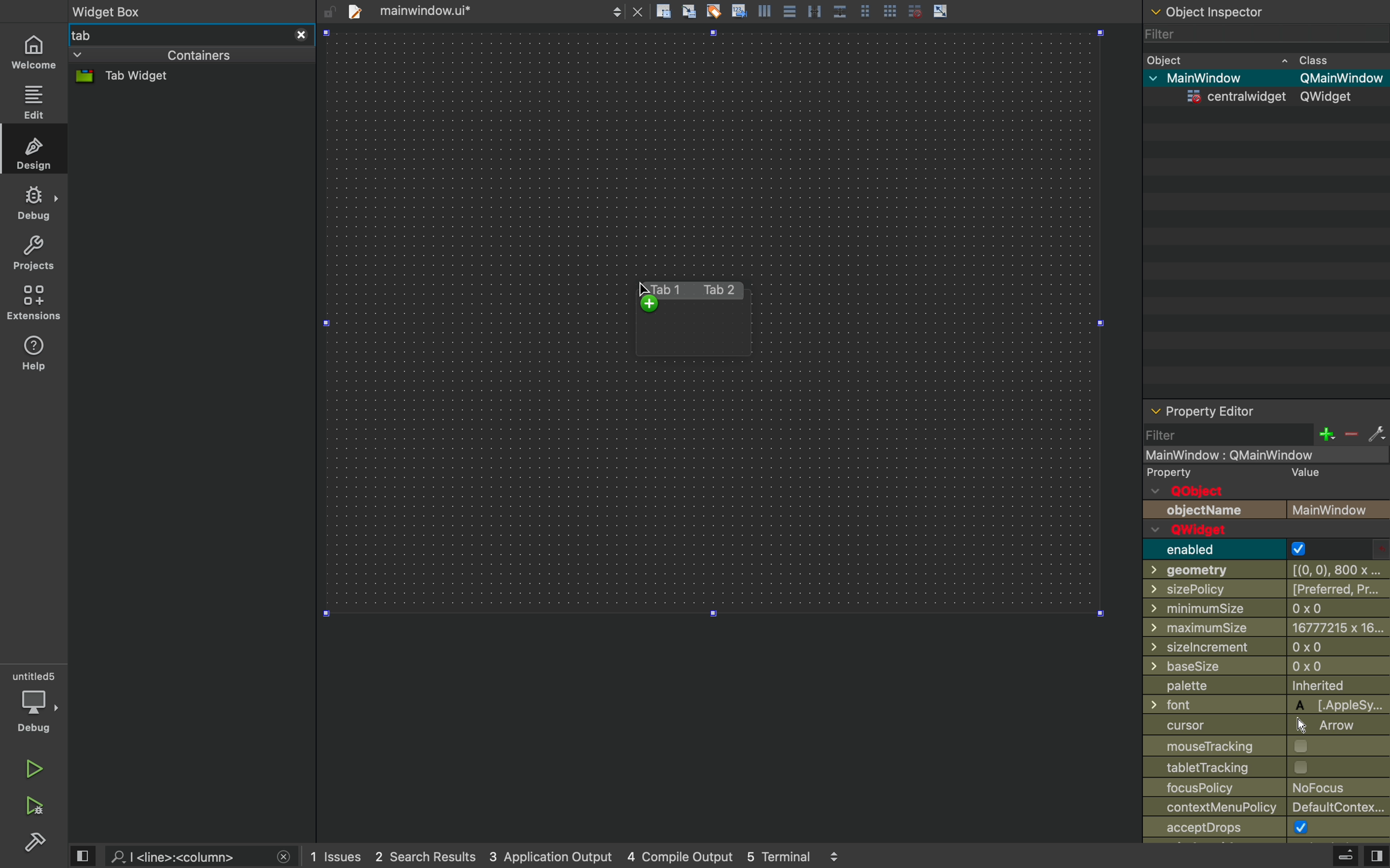 Image resolution: width=1390 pixels, height=868 pixels. What do you see at coordinates (1264, 571) in the screenshot?
I see `geometry` at bounding box center [1264, 571].